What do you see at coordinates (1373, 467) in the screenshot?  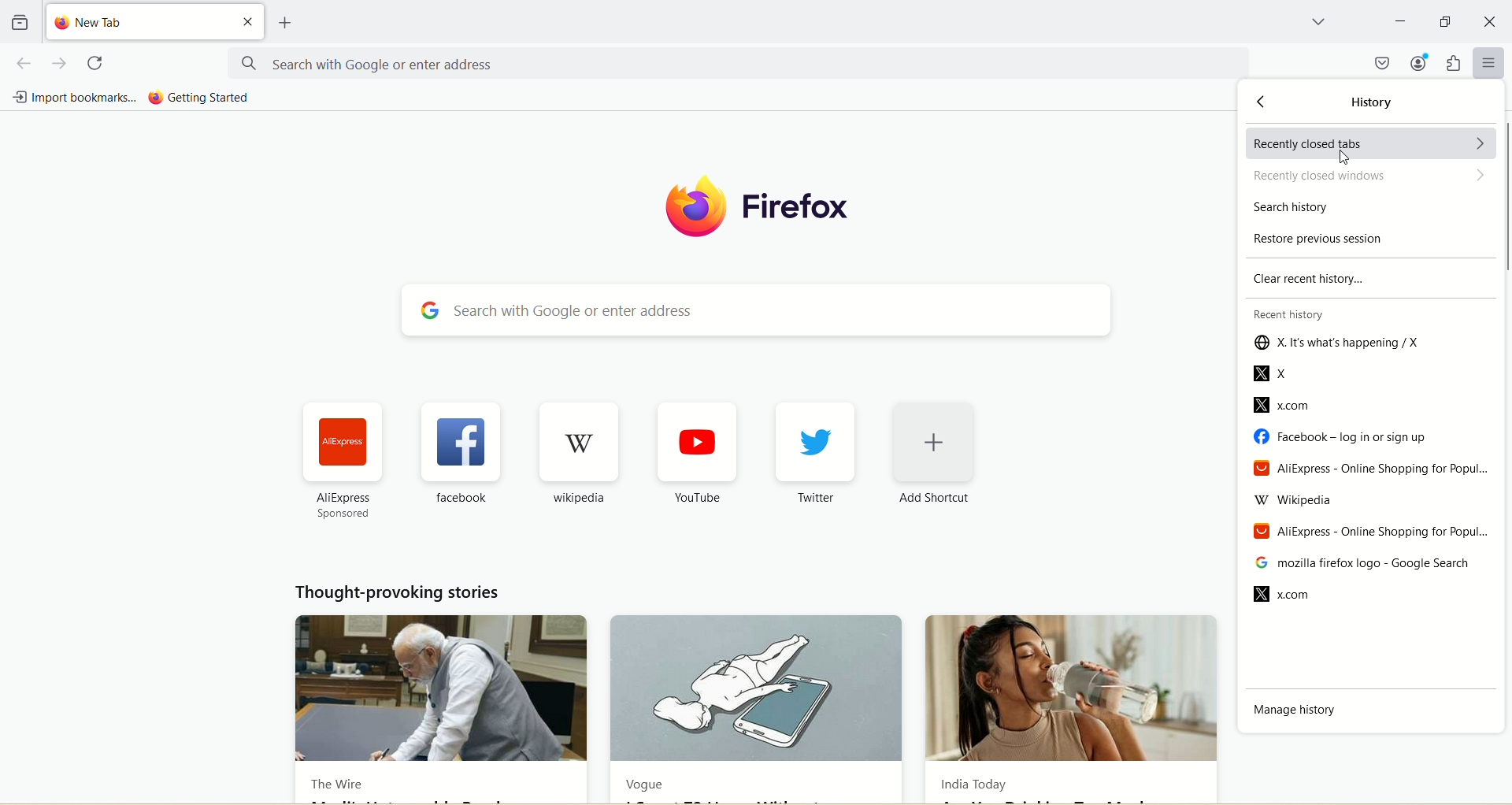 I see `AliExpress` at bounding box center [1373, 467].